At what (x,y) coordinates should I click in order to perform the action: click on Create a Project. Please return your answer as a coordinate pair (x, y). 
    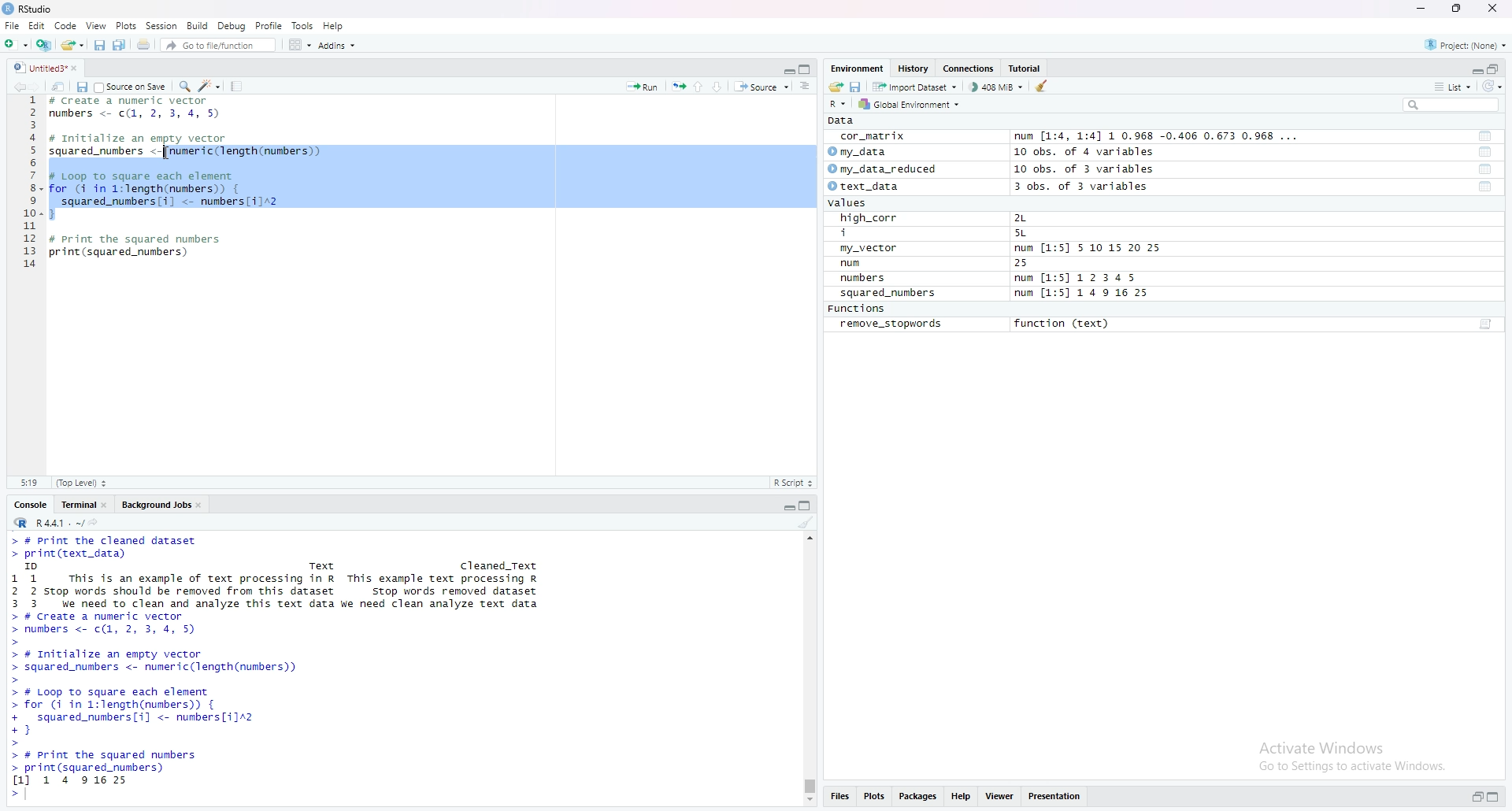
    Looking at the image, I should click on (43, 43).